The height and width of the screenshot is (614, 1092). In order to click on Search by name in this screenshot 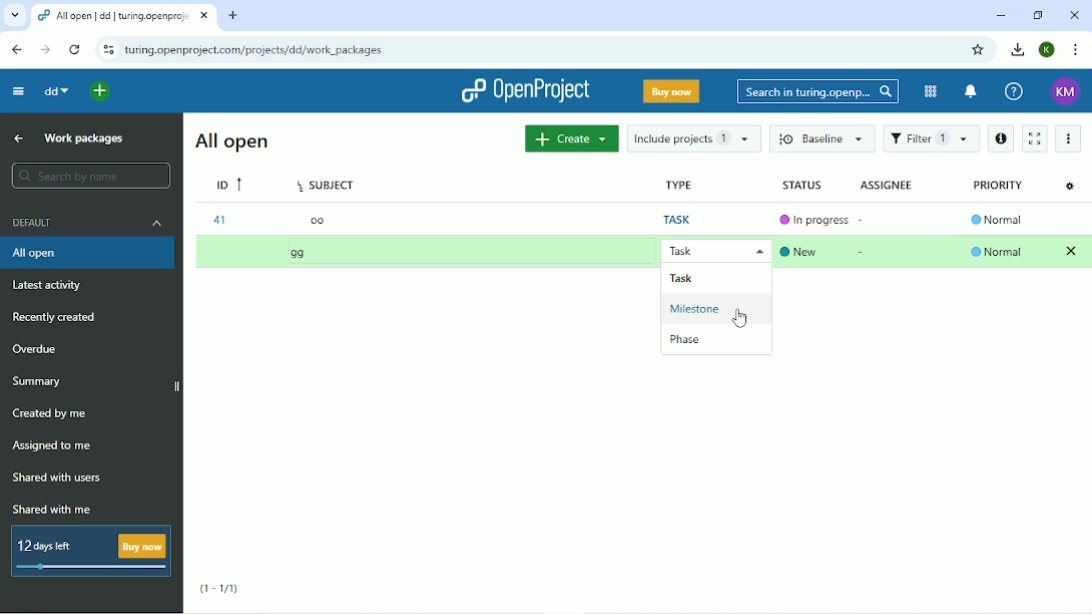, I will do `click(90, 175)`.